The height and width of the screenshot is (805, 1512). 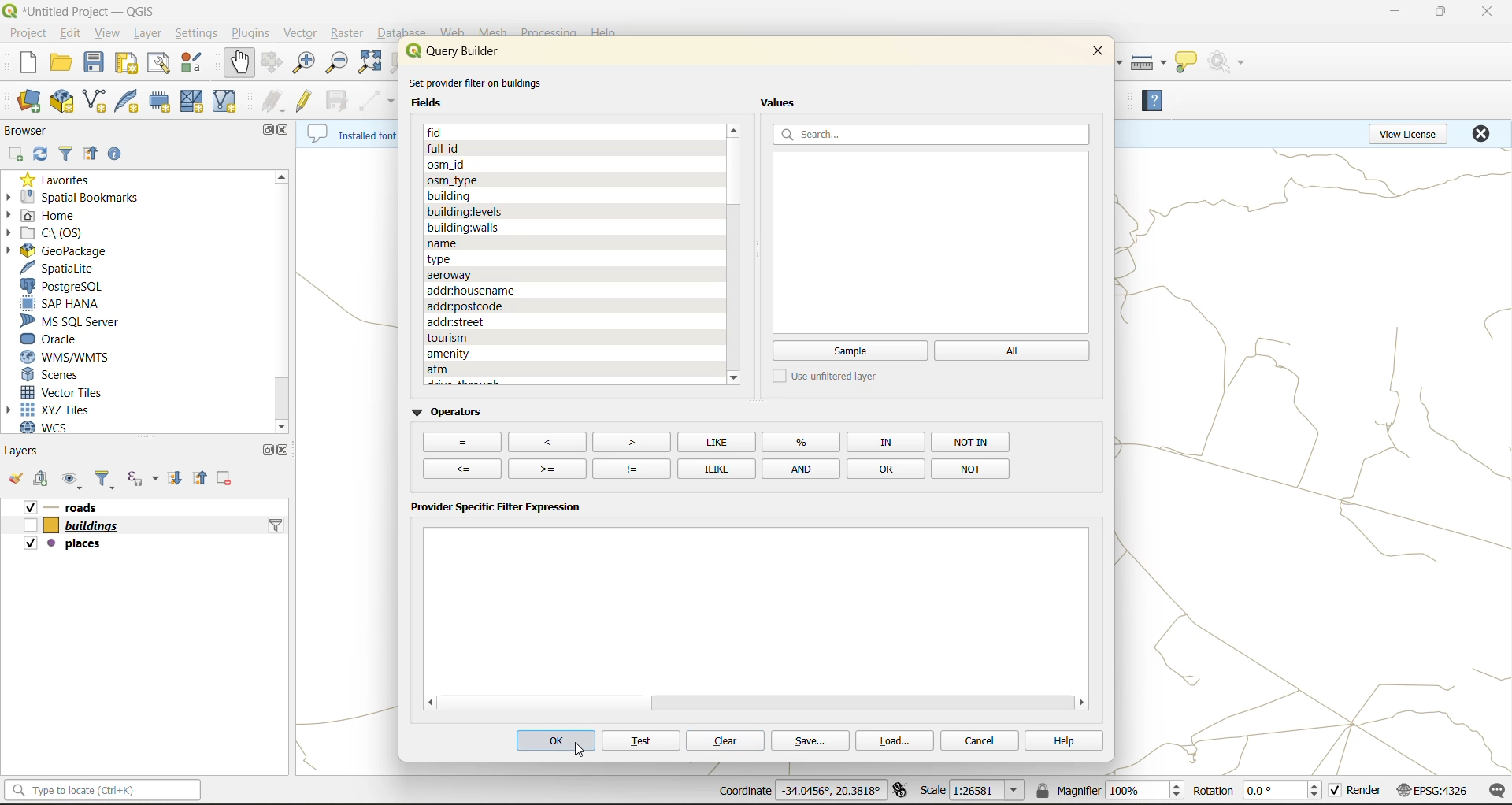 I want to click on temporary scratch layer, so click(x=161, y=102).